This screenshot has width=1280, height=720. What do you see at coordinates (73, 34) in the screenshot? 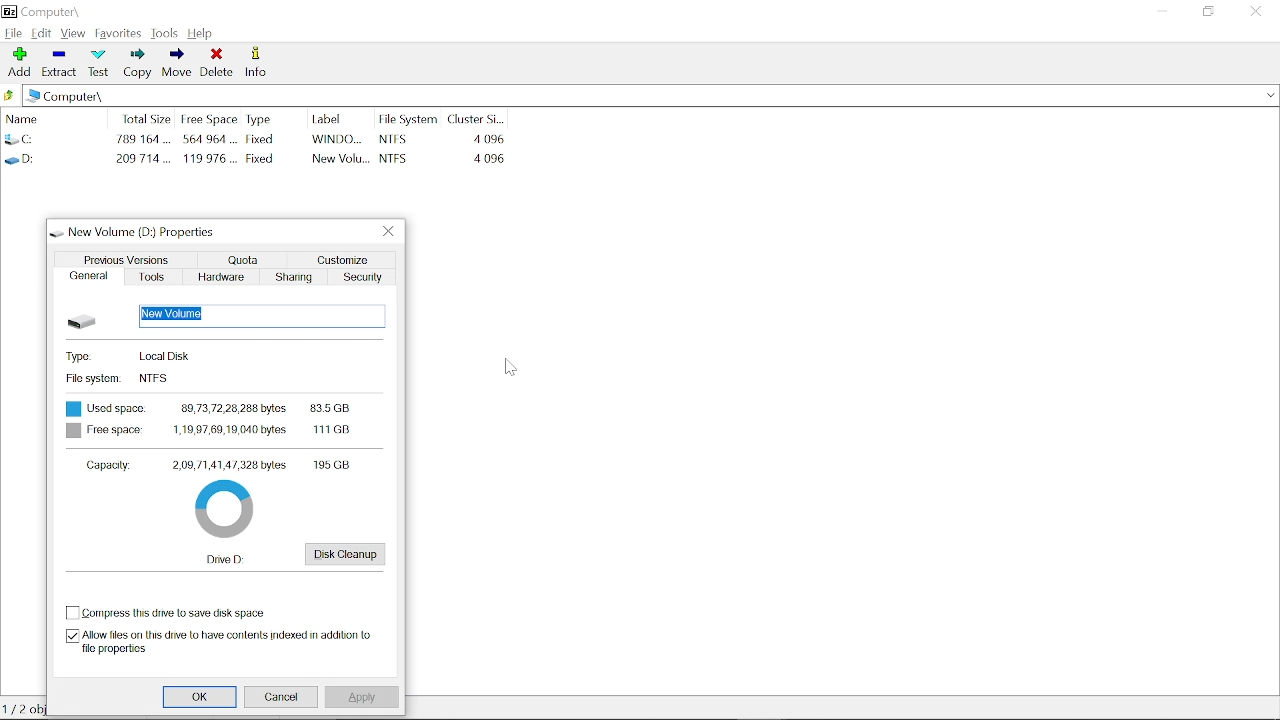
I see `view` at bounding box center [73, 34].